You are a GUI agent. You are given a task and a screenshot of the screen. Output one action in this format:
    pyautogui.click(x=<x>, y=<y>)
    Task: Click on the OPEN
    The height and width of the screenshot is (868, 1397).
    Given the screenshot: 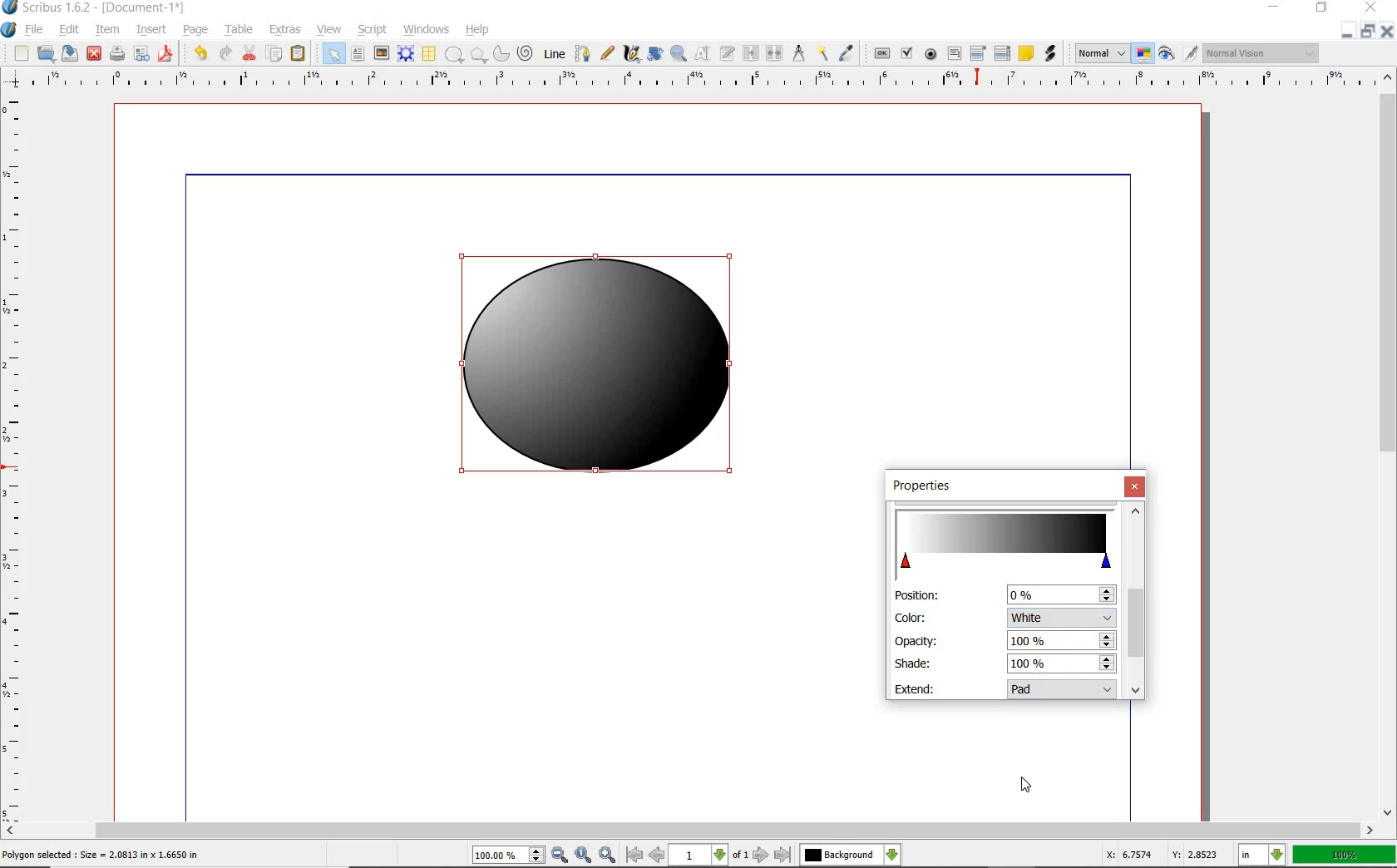 What is the action you would take?
    pyautogui.click(x=46, y=52)
    